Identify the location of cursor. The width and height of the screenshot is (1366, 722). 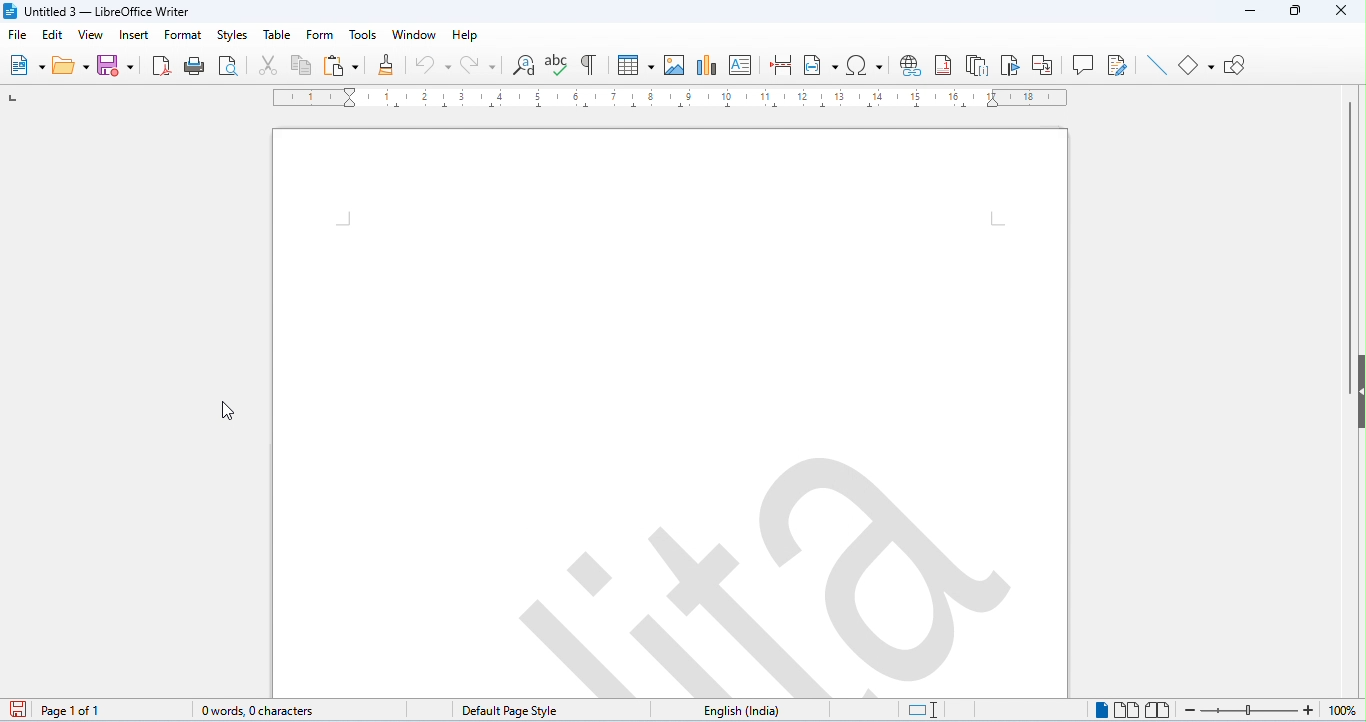
(229, 416).